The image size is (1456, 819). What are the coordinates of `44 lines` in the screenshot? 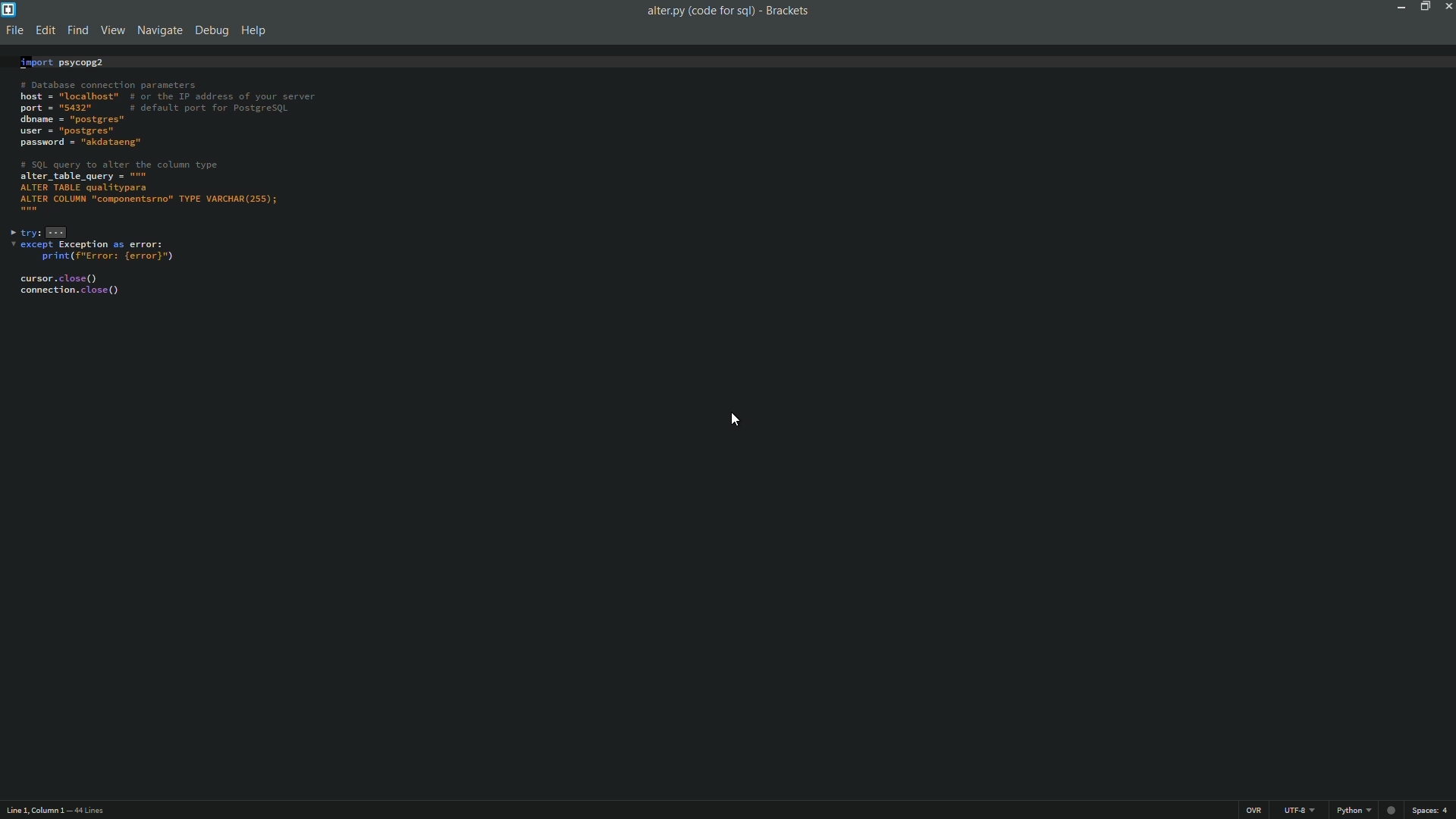 It's located at (89, 811).